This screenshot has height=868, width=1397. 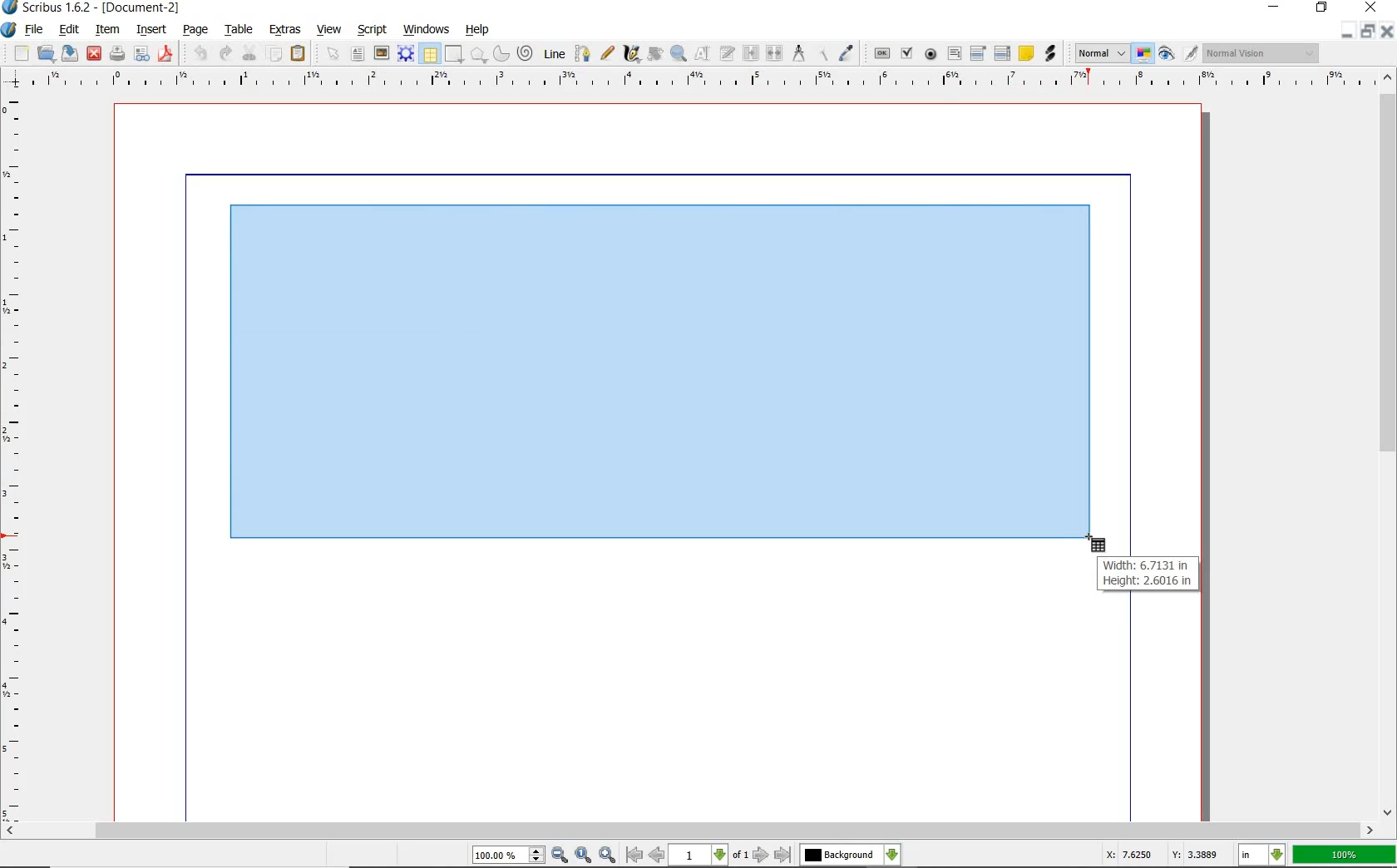 I want to click on scrollbar, so click(x=698, y=832).